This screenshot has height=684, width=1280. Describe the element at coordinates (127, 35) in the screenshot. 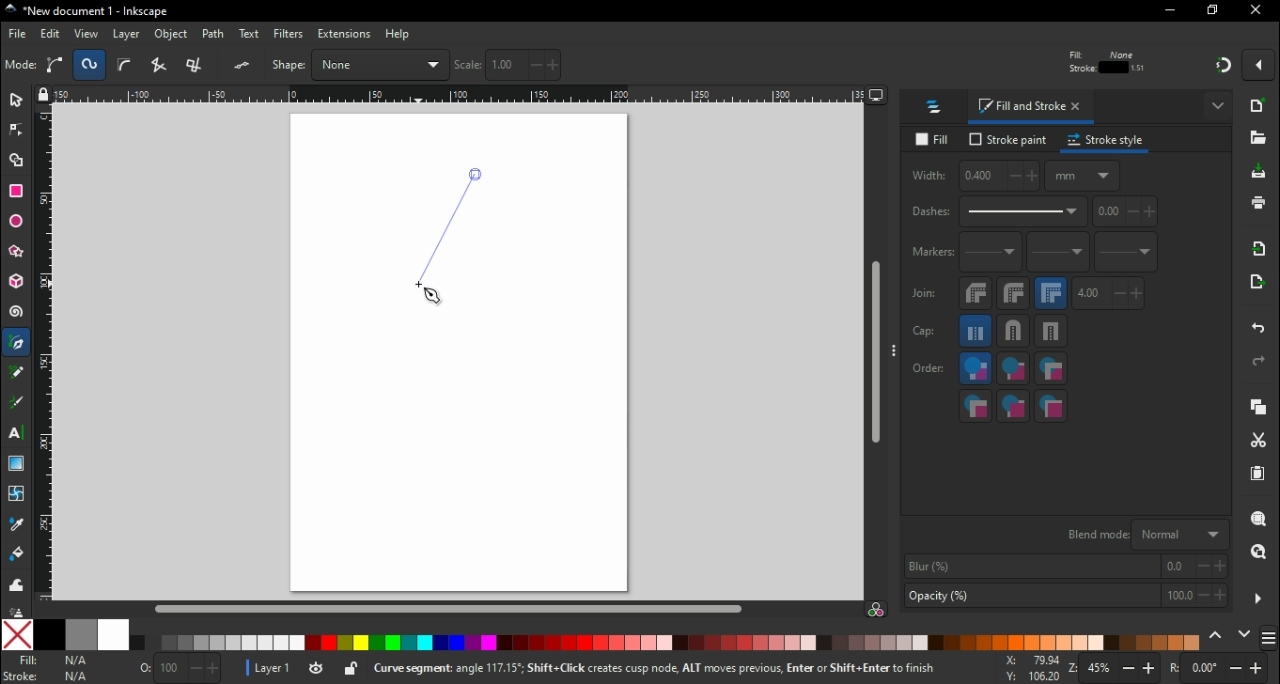

I see `layer` at that location.